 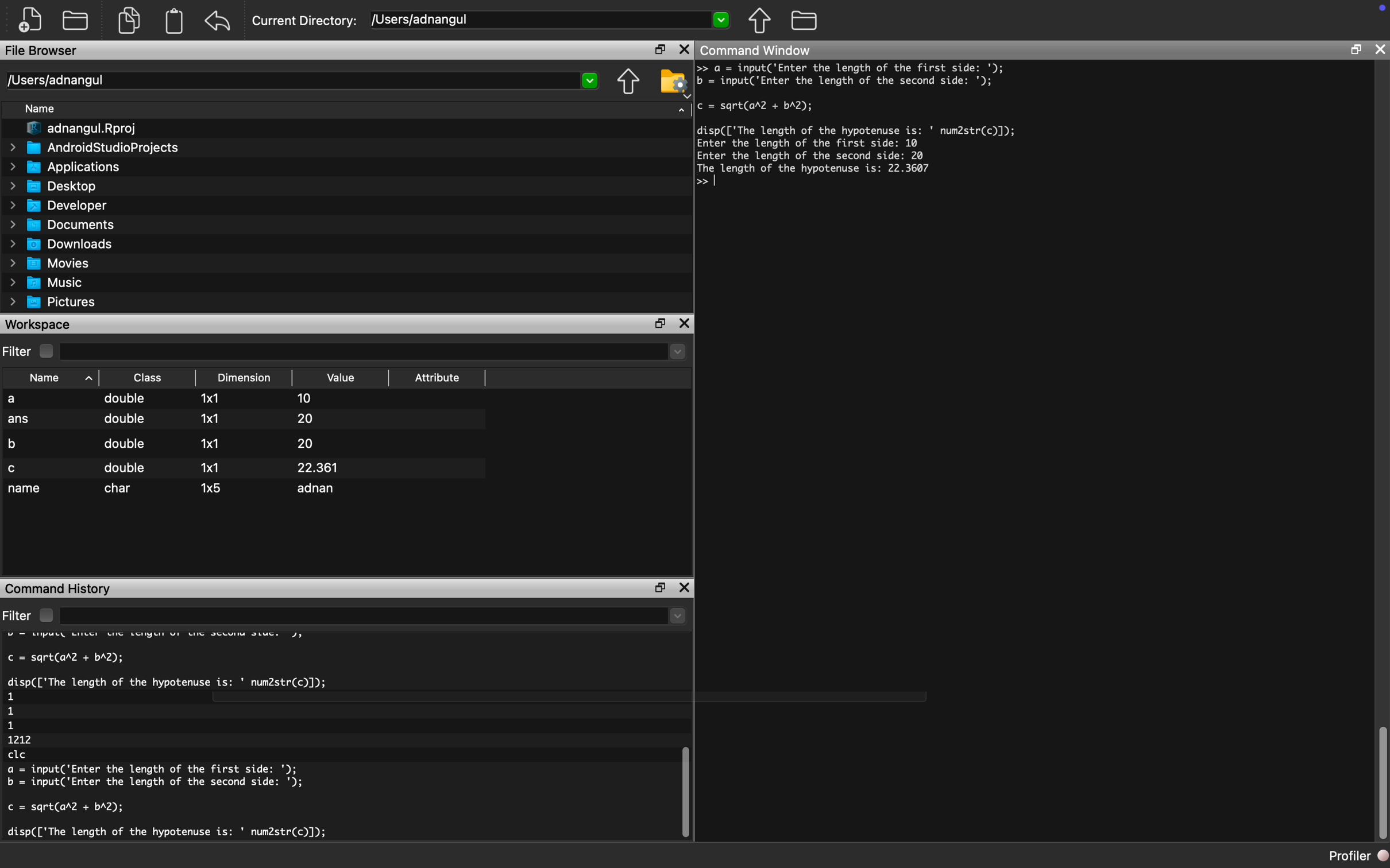 I want to click on icon, so click(x=1379, y=10).